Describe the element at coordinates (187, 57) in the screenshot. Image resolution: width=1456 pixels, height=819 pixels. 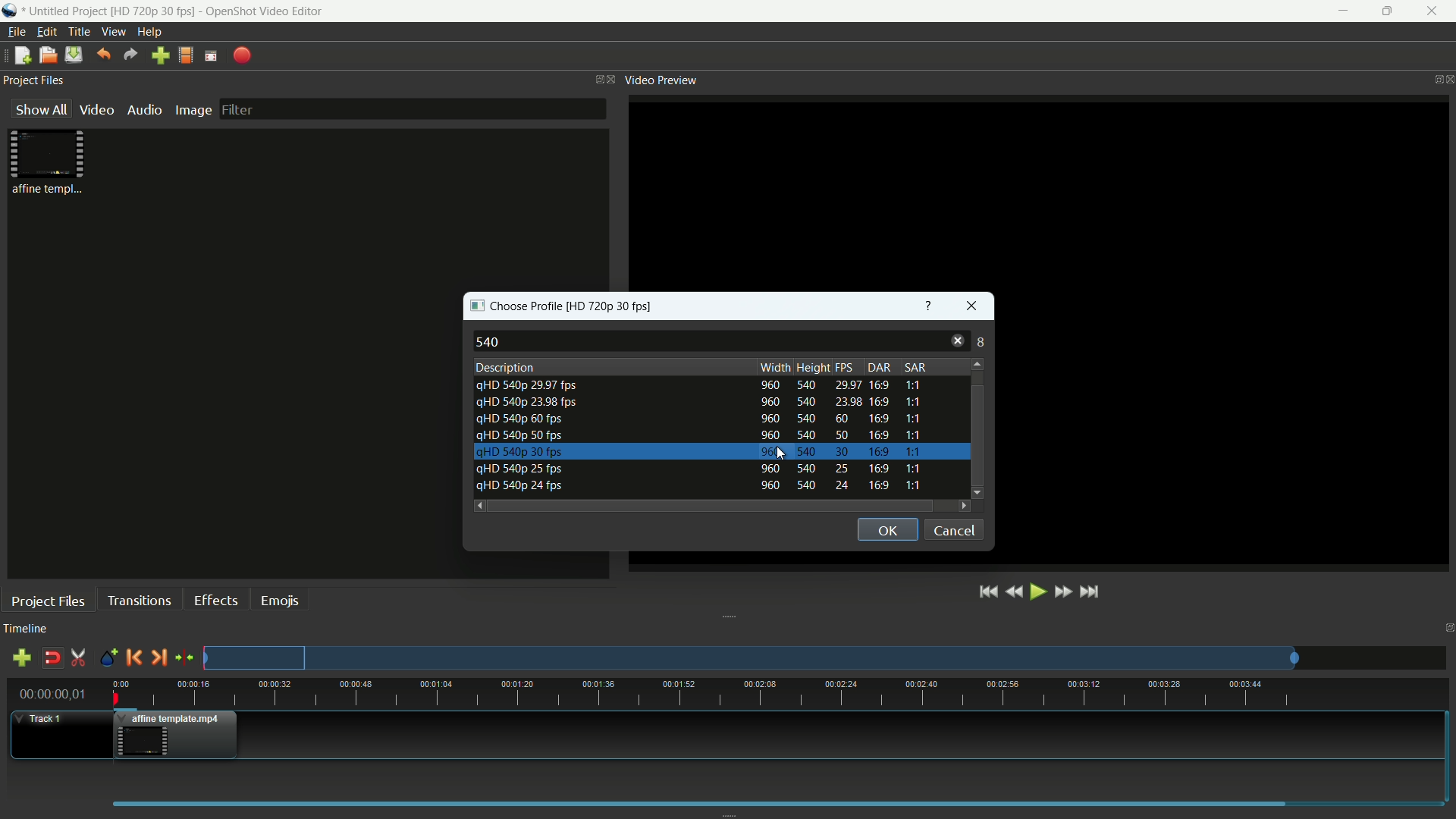
I see `profile` at that location.